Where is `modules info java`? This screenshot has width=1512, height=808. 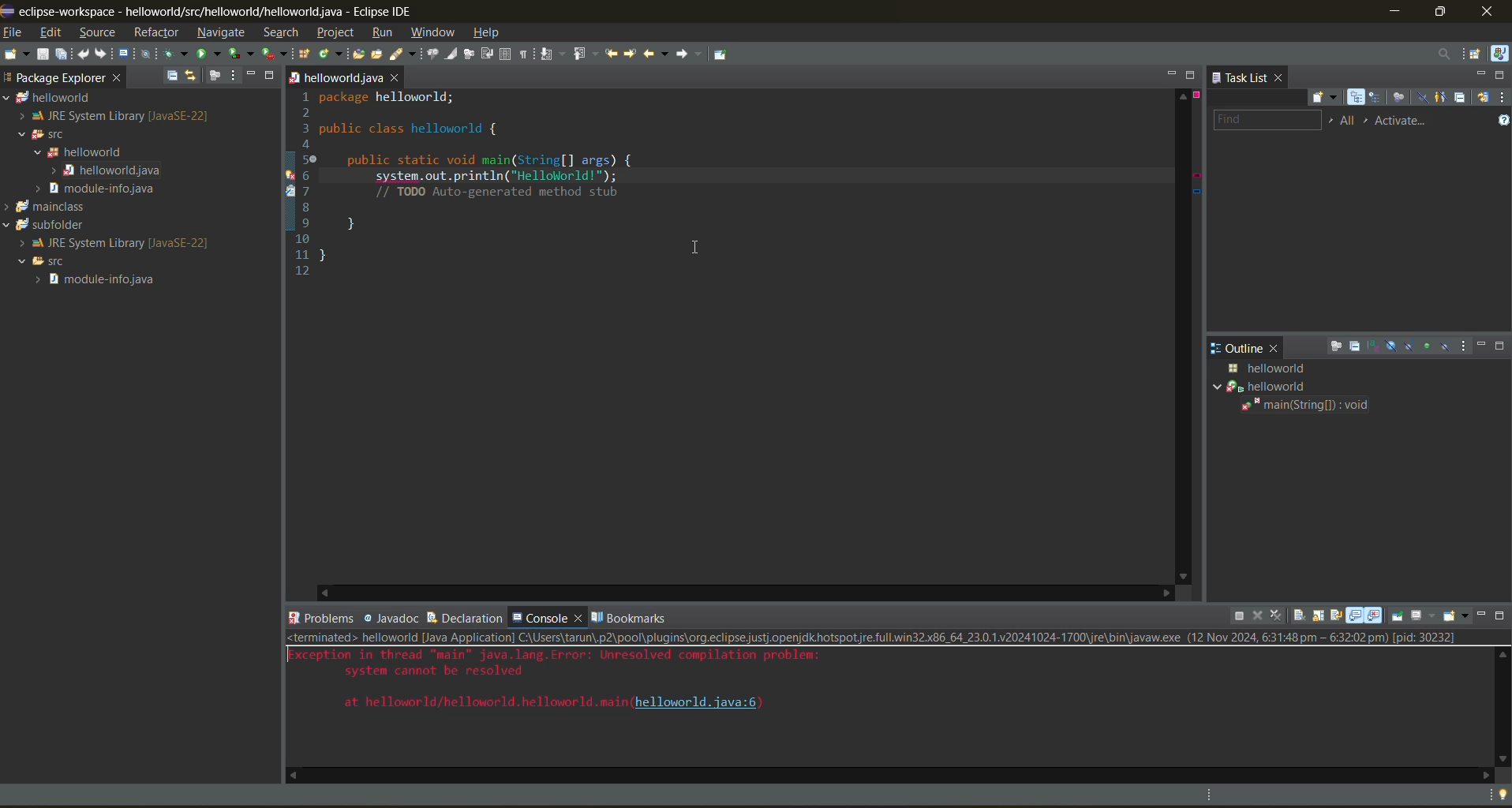
modules info java is located at coordinates (110, 190).